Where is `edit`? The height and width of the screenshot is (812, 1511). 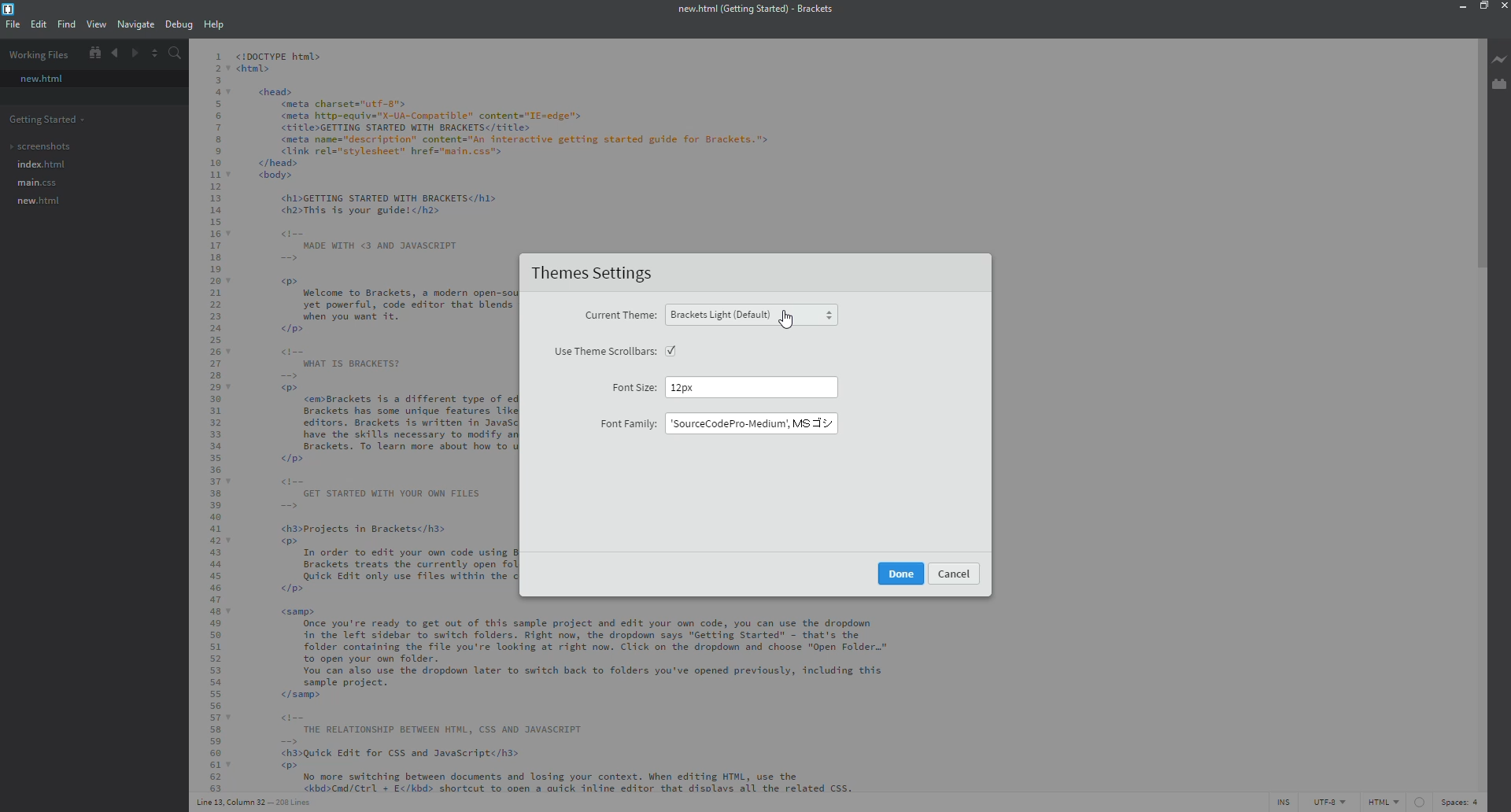
edit is located at coordinates (38, 24).